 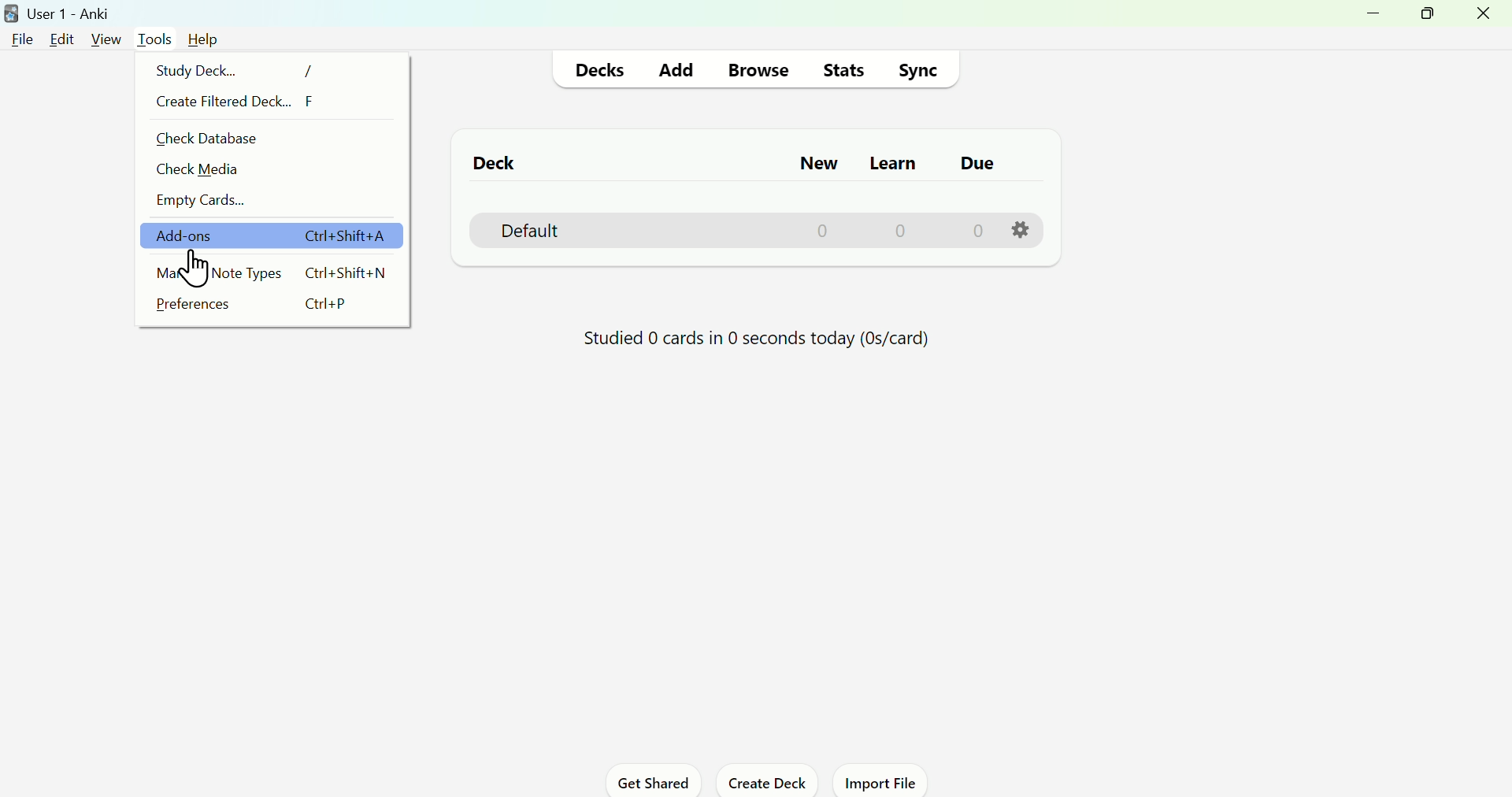 I want to click on Empty cards..., so click(x=200, y=202).